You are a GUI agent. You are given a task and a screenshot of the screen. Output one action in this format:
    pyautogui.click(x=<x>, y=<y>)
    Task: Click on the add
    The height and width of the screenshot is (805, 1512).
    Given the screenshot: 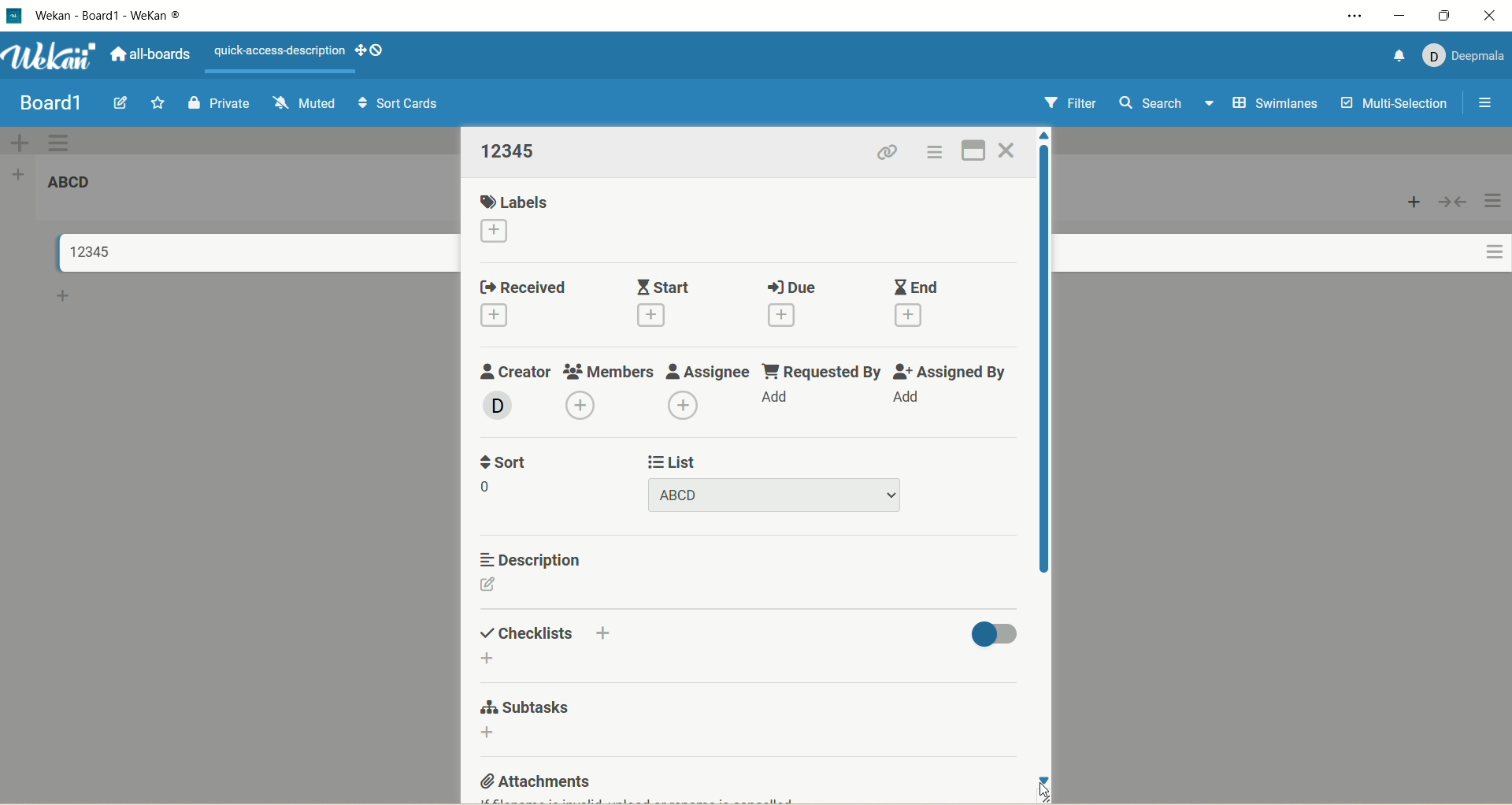 What is the action you would take?
    pyautogui.click(x=582, y=406)
    